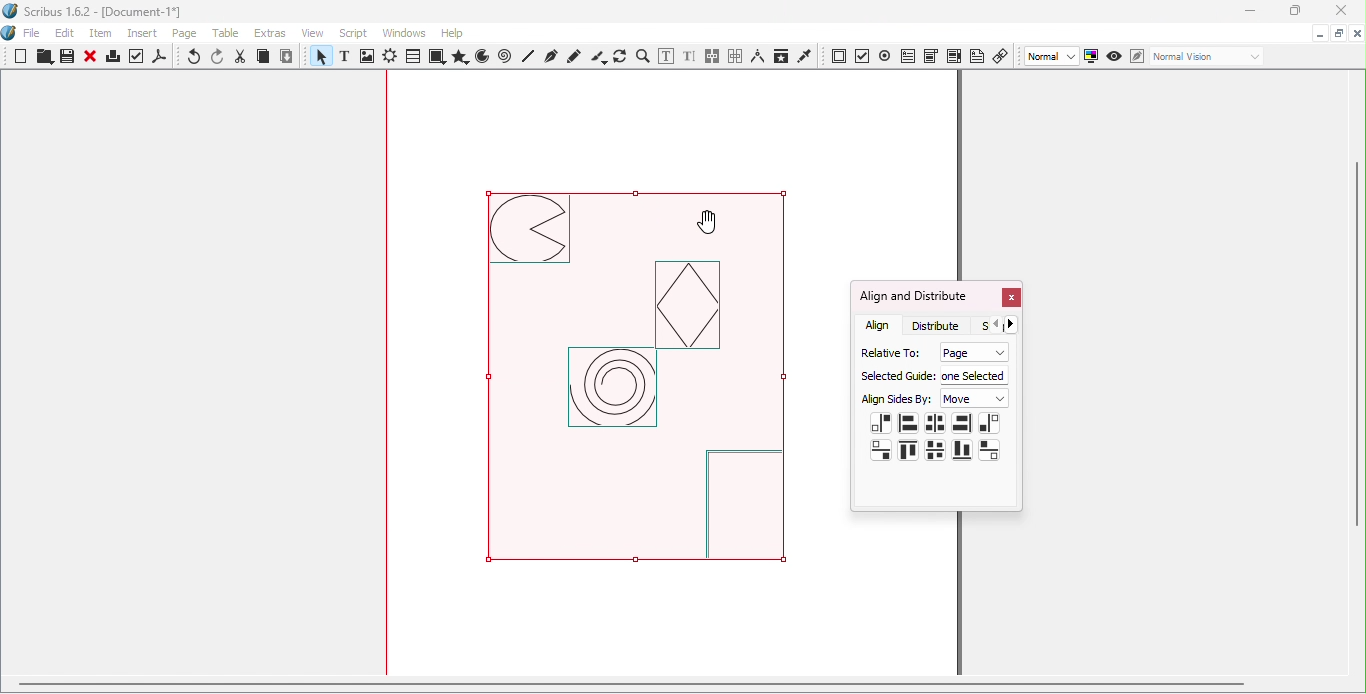 The width and height of the screenshot is (1366, 694). I want to click on Table, so click(412, 57).